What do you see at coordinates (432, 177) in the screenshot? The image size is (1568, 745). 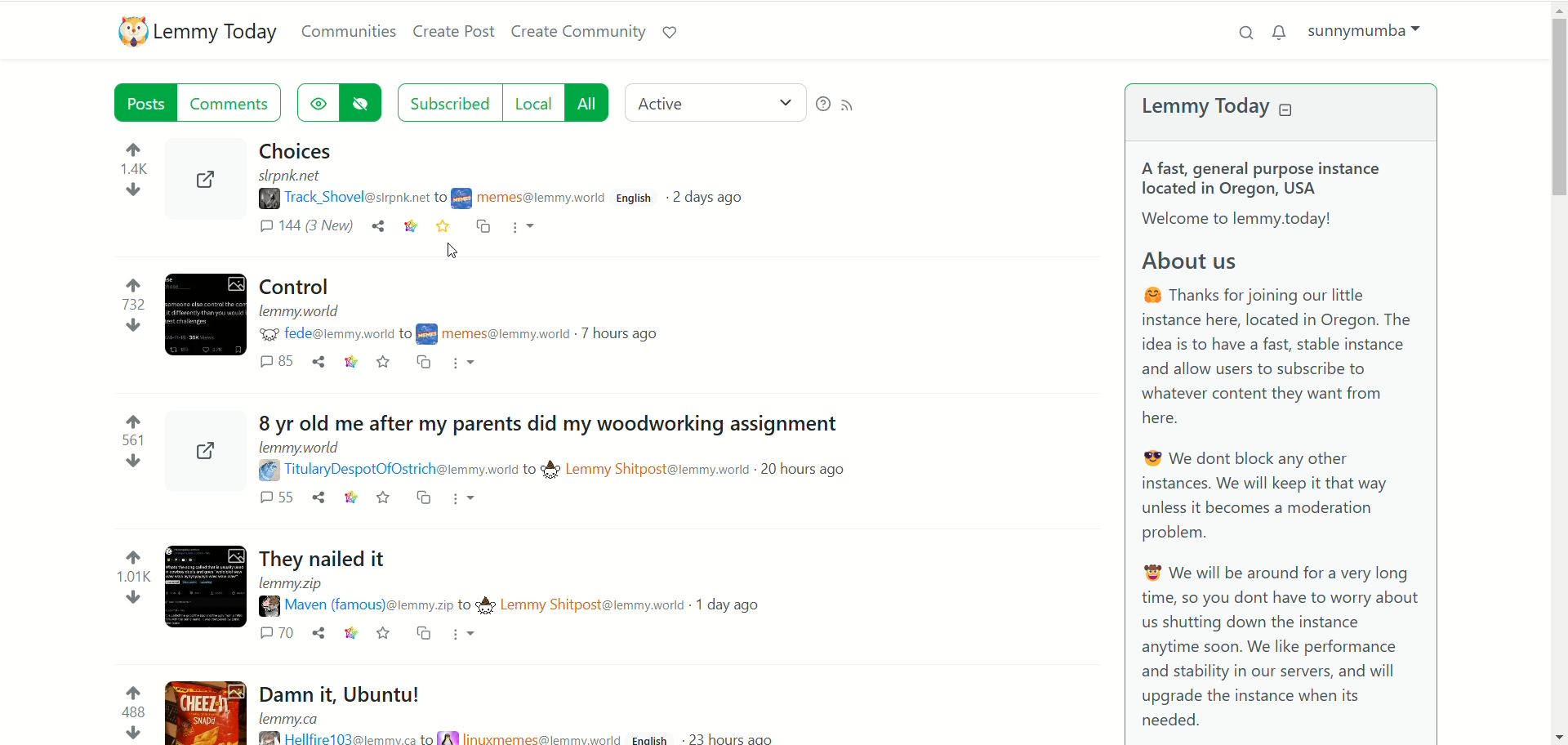 I see `post on "Choices"` at bounding box center [432, 177].